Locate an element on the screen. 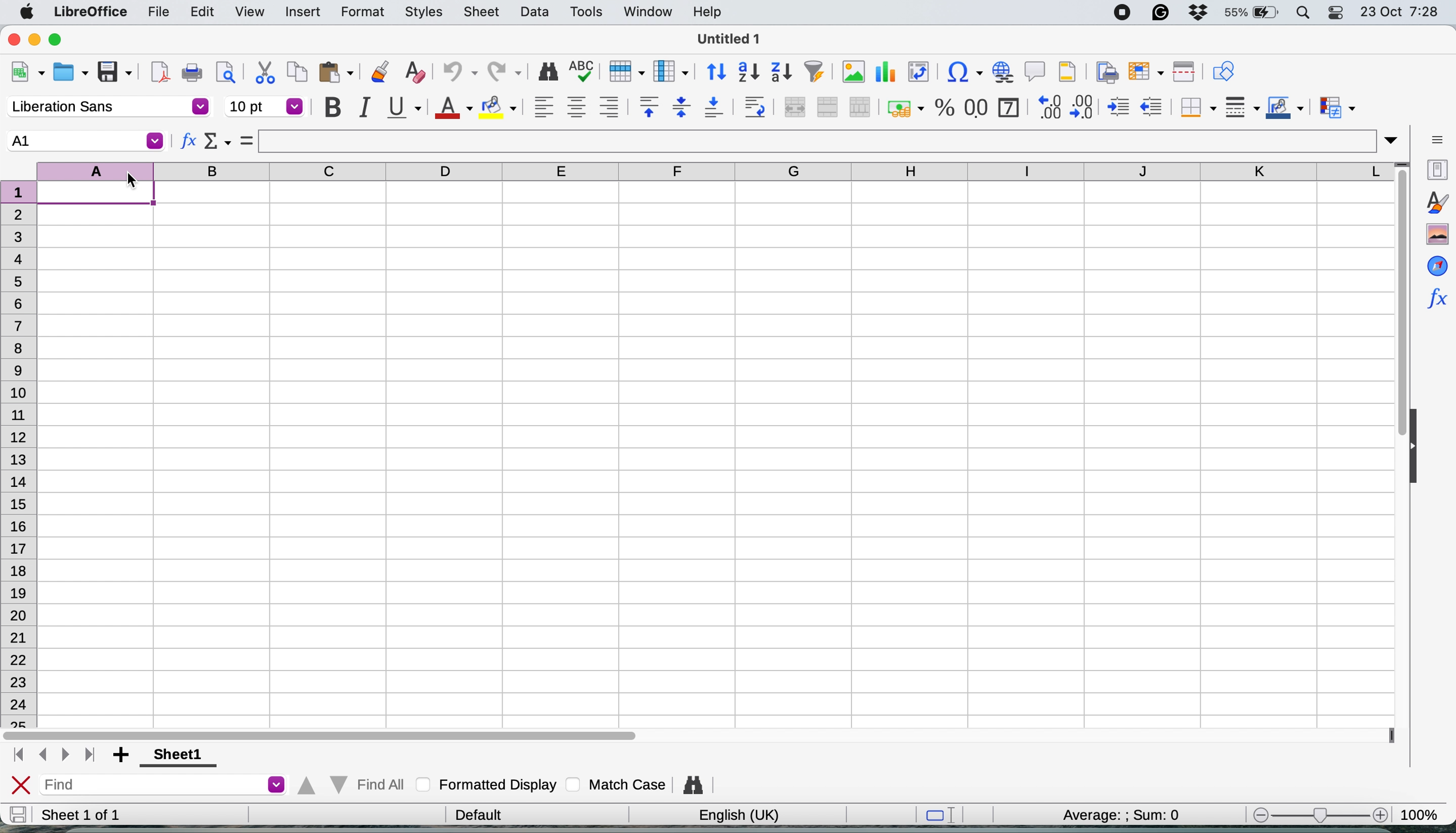  columns is located at coordinates (711, 172).